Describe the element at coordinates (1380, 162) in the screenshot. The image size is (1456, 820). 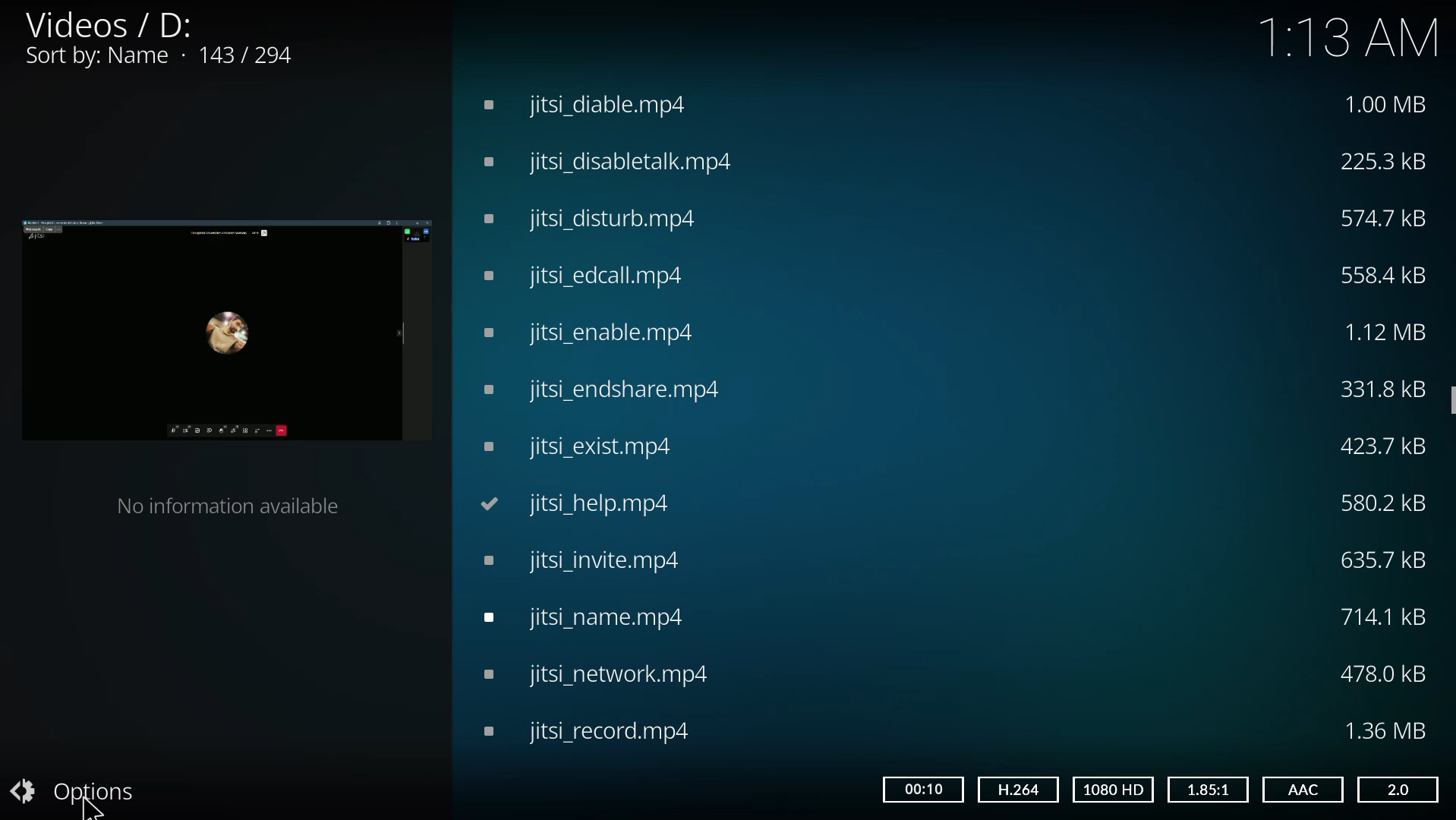
I see `size` at that location.